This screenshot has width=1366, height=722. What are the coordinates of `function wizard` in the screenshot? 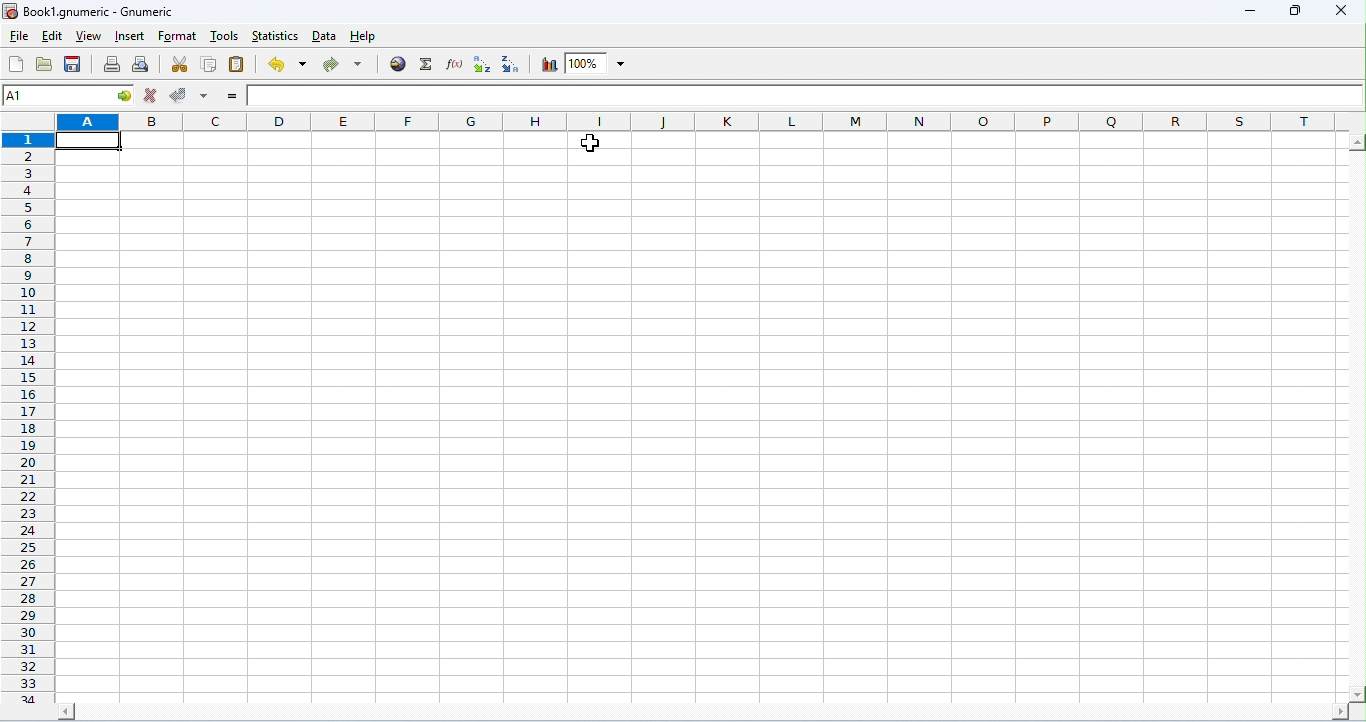 It's located at (456, 64).